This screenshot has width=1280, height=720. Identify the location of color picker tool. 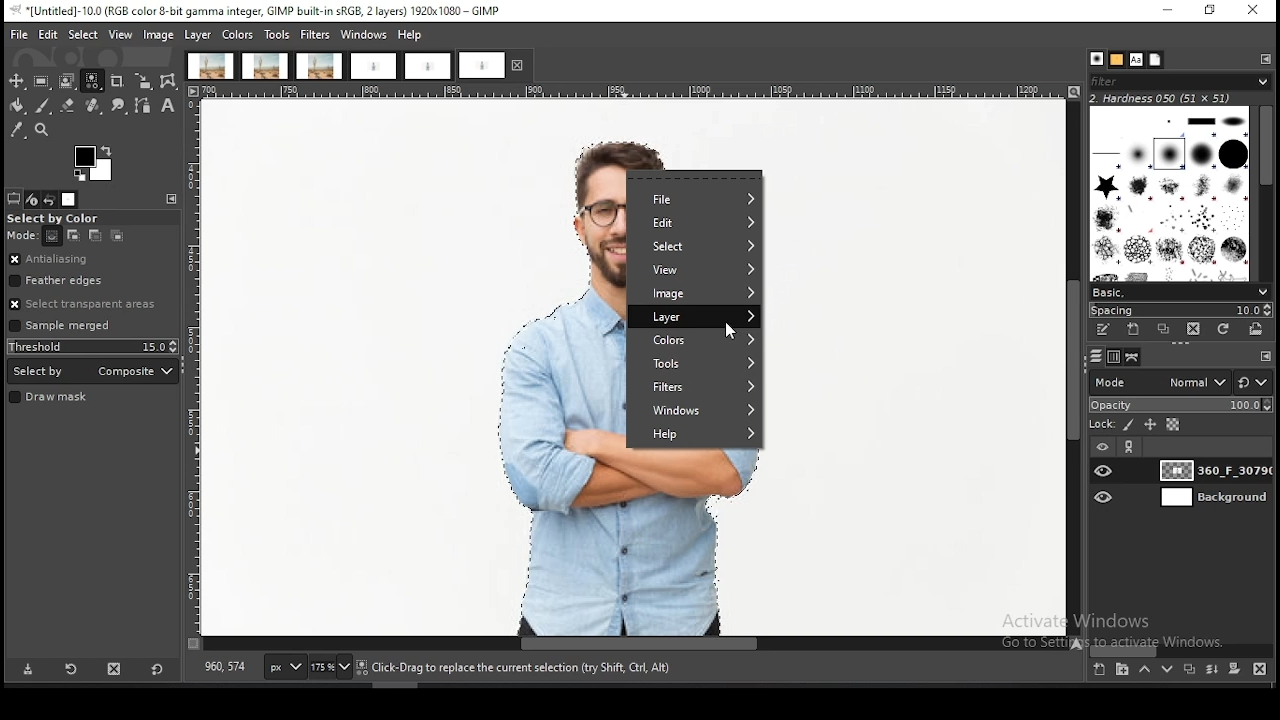
(16, 130).